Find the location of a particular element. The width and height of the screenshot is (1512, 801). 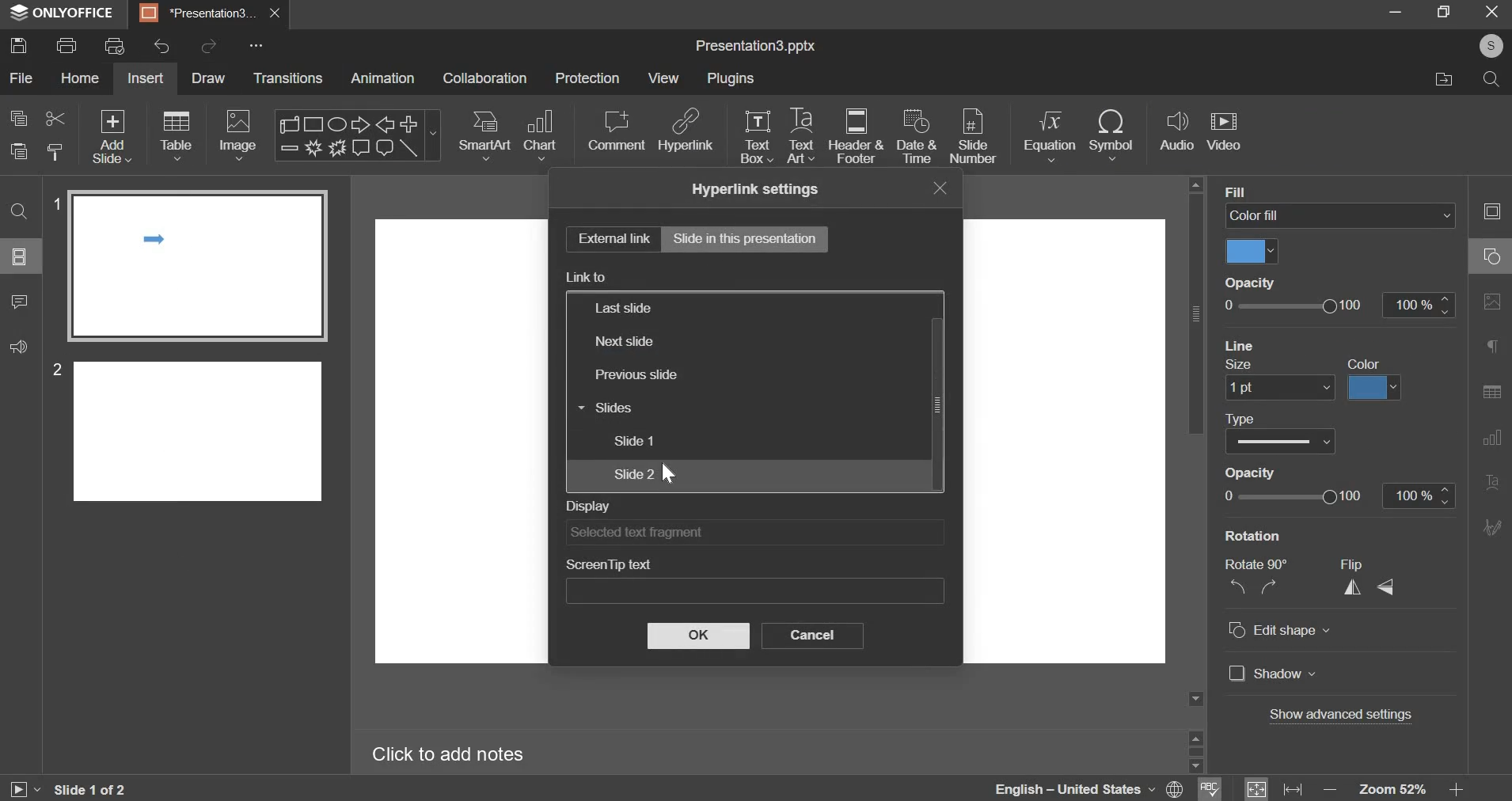

plus is located at coordinates (409, 123).